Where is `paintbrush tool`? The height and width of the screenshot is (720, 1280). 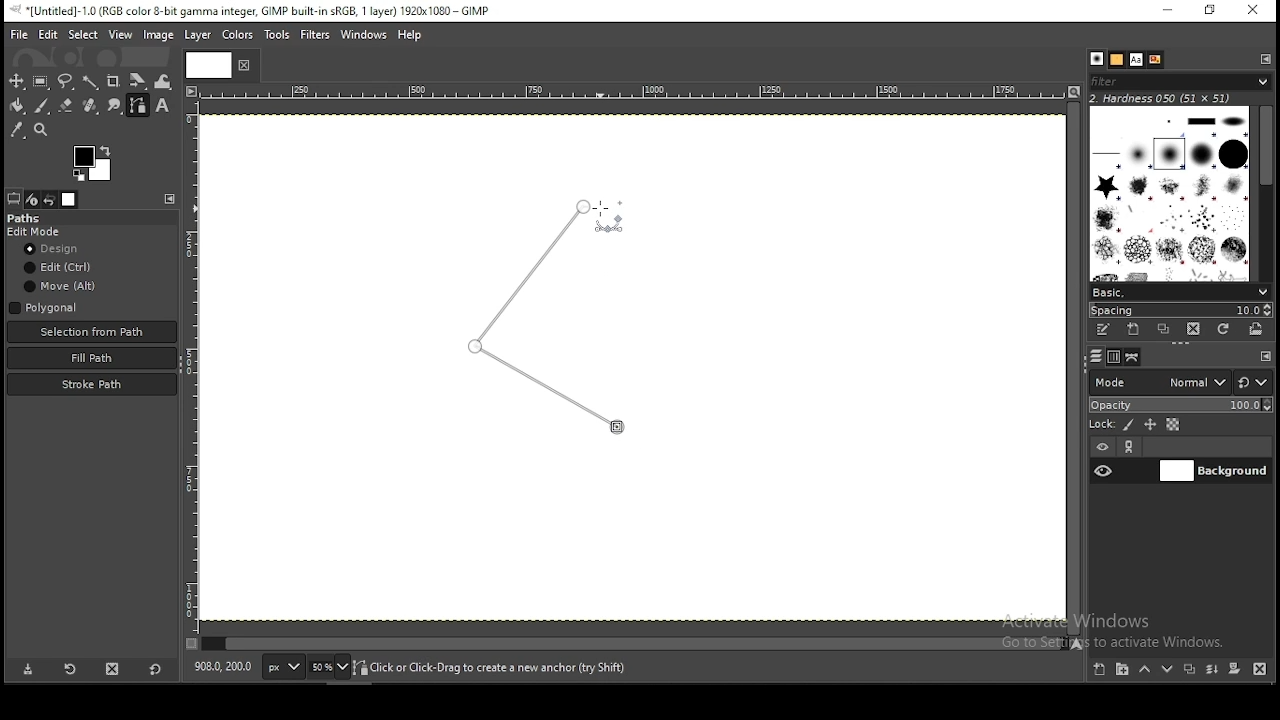 paintbrush tool is located at coordinates (40, 105).